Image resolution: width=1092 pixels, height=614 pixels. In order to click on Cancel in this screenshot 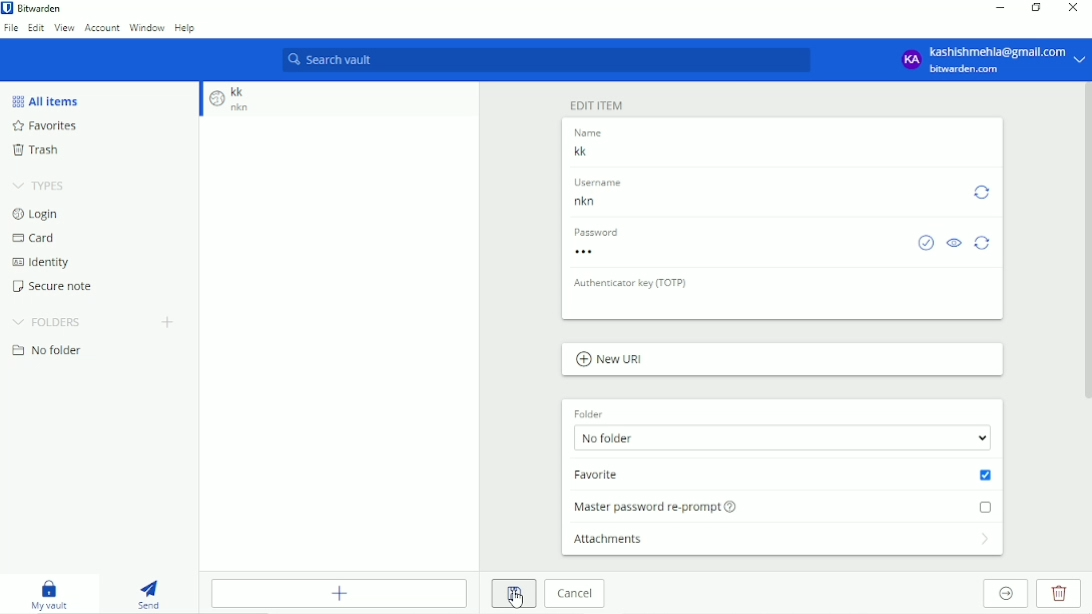, I will do `click(574, 594)`.